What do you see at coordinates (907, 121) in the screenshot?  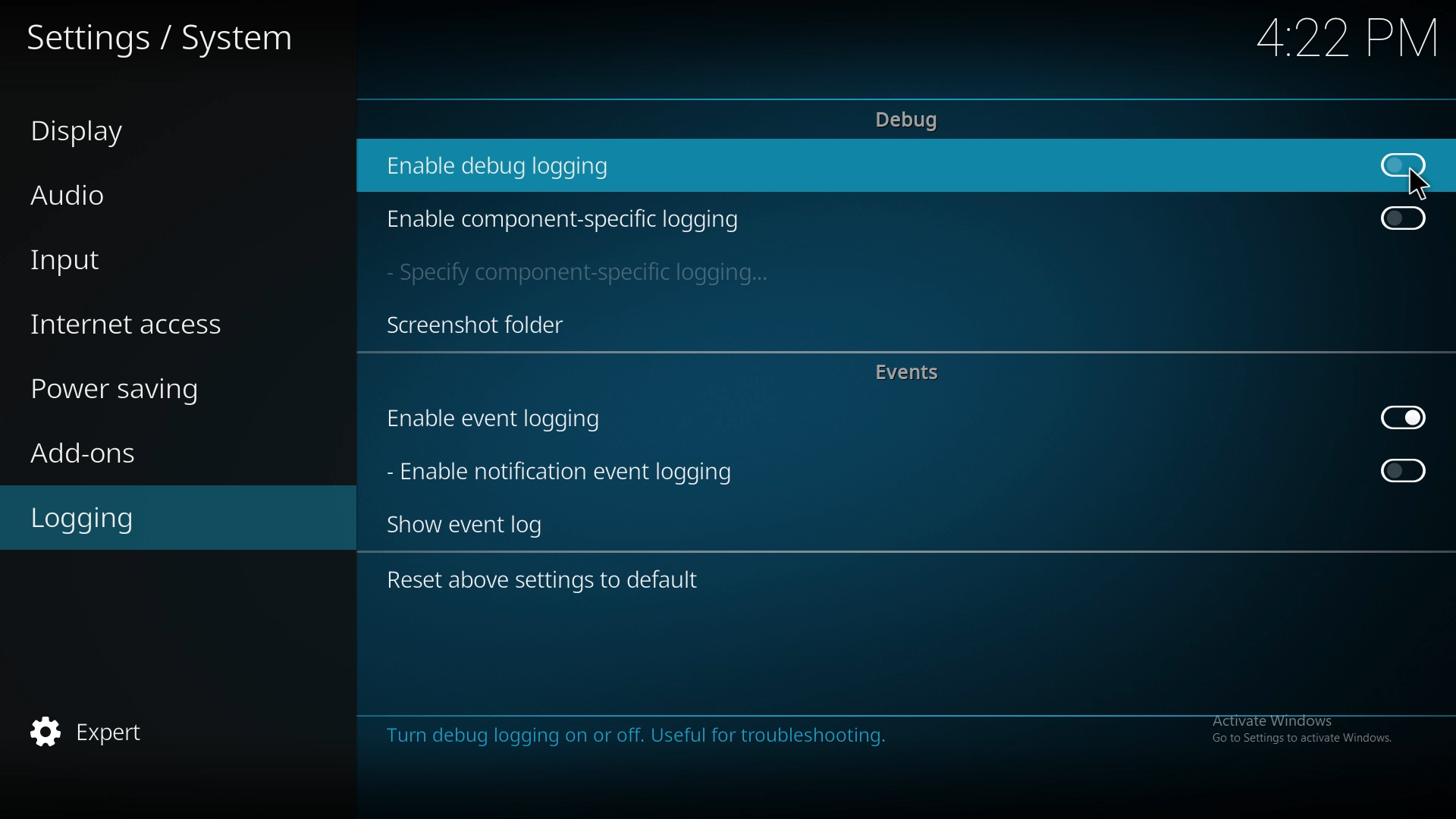 I see `debug` at bounding box center [907, 121].